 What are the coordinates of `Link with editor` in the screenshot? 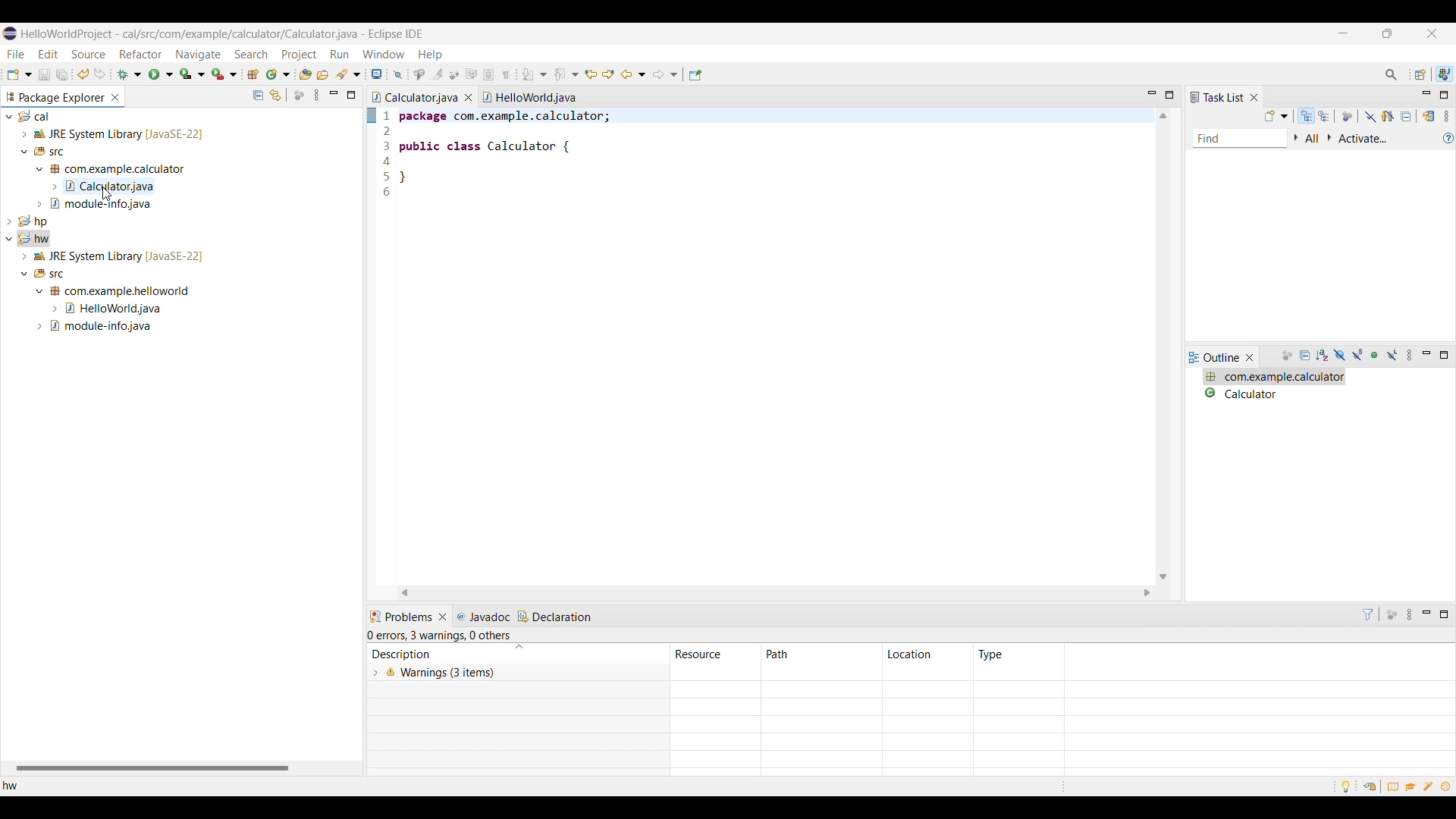 It's located at (275, 95).